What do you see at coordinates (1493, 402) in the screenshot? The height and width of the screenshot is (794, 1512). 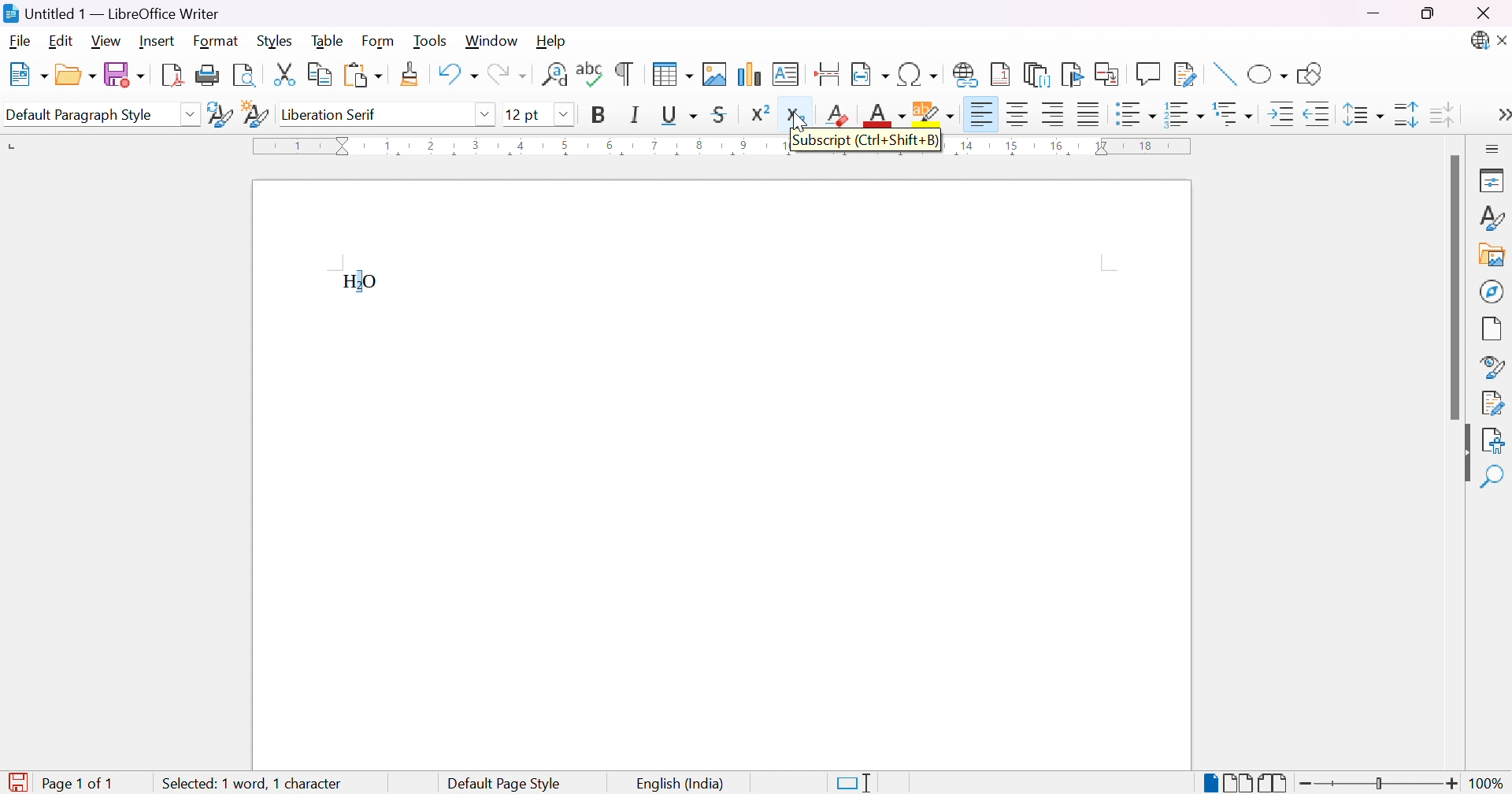 I see `Manage check` at bounding box center [1493, 402].